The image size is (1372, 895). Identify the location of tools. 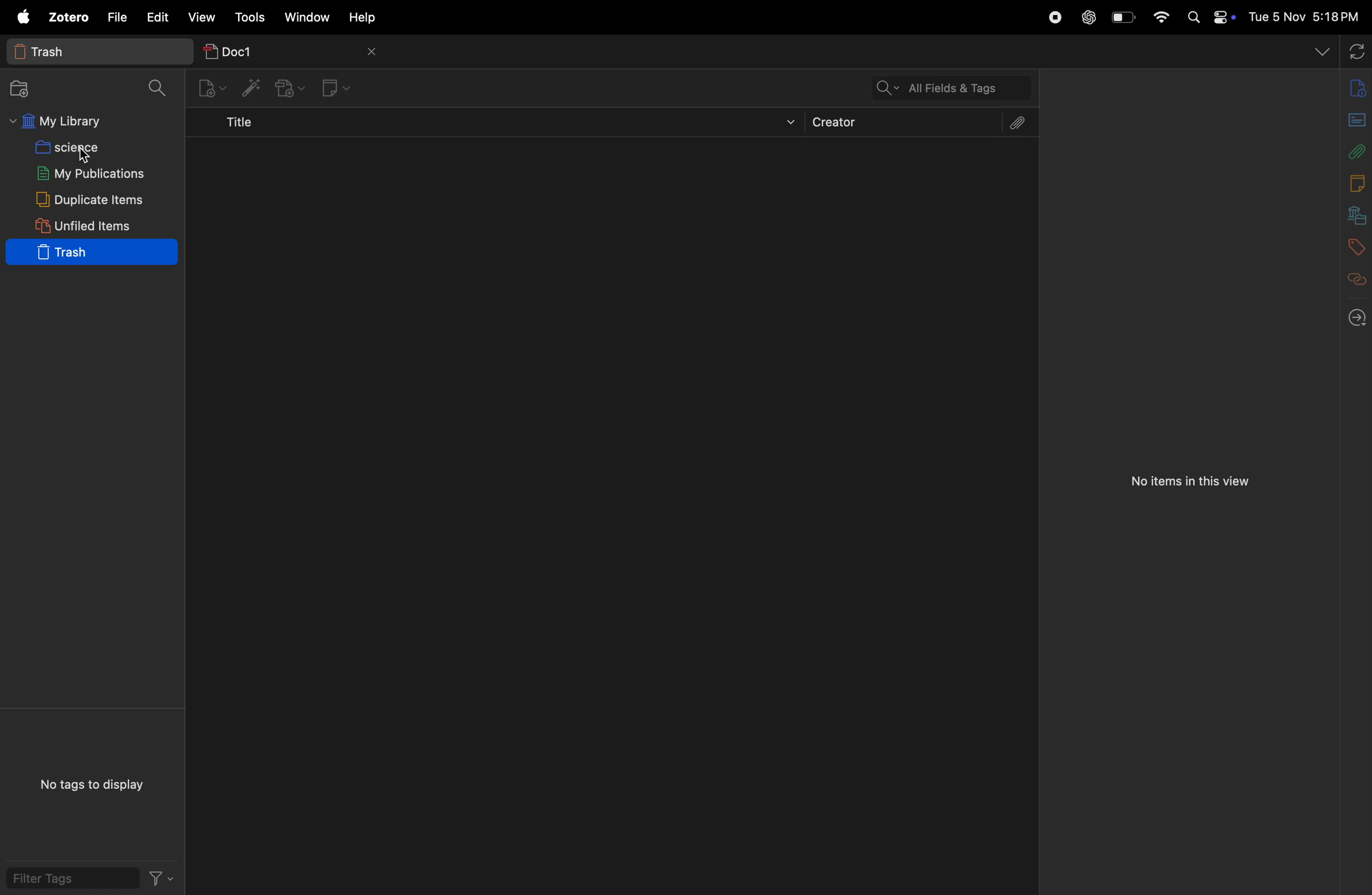
(252, 14).